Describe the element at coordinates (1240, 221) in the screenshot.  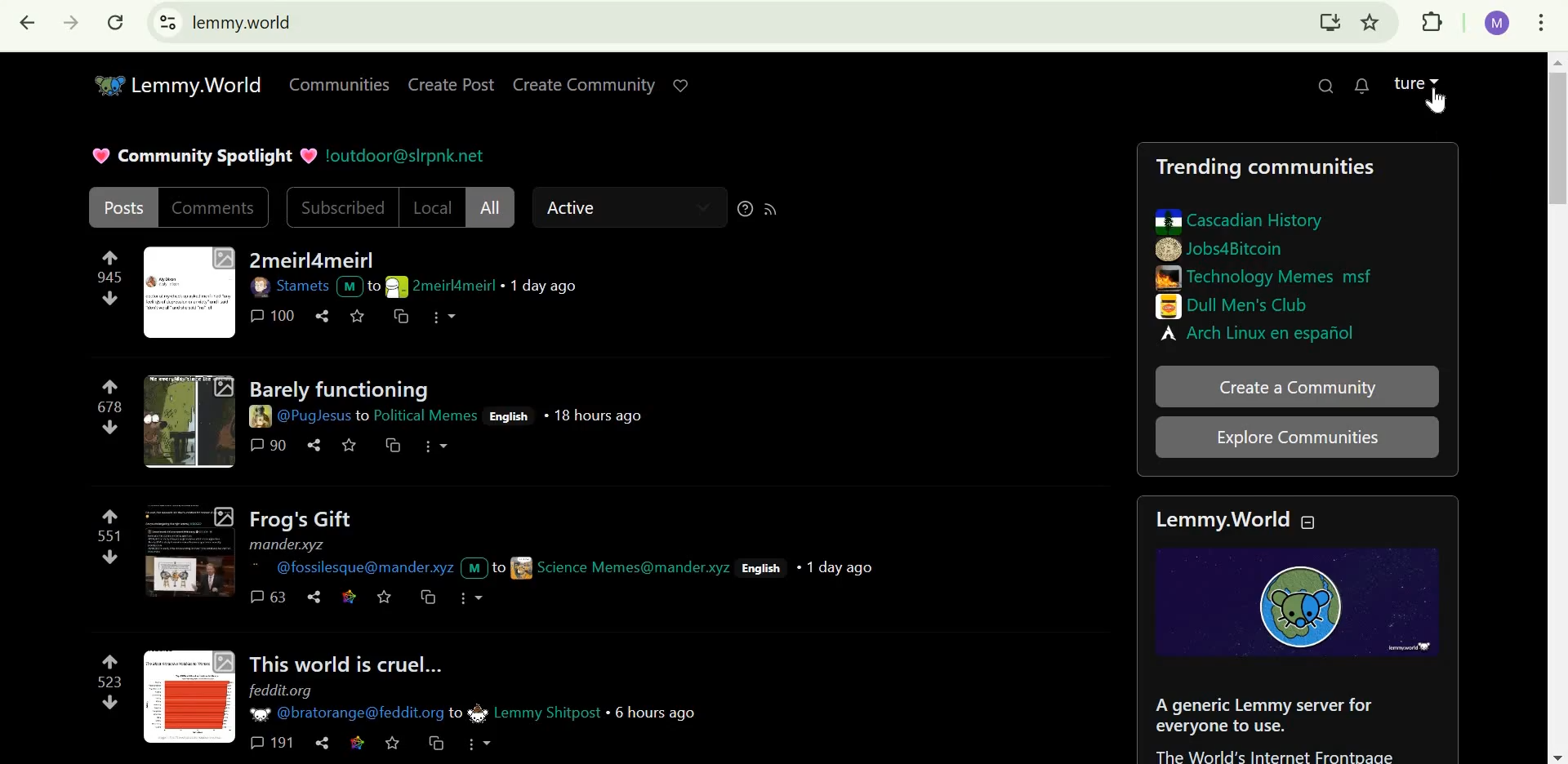
I see `cascadian history` at that location.